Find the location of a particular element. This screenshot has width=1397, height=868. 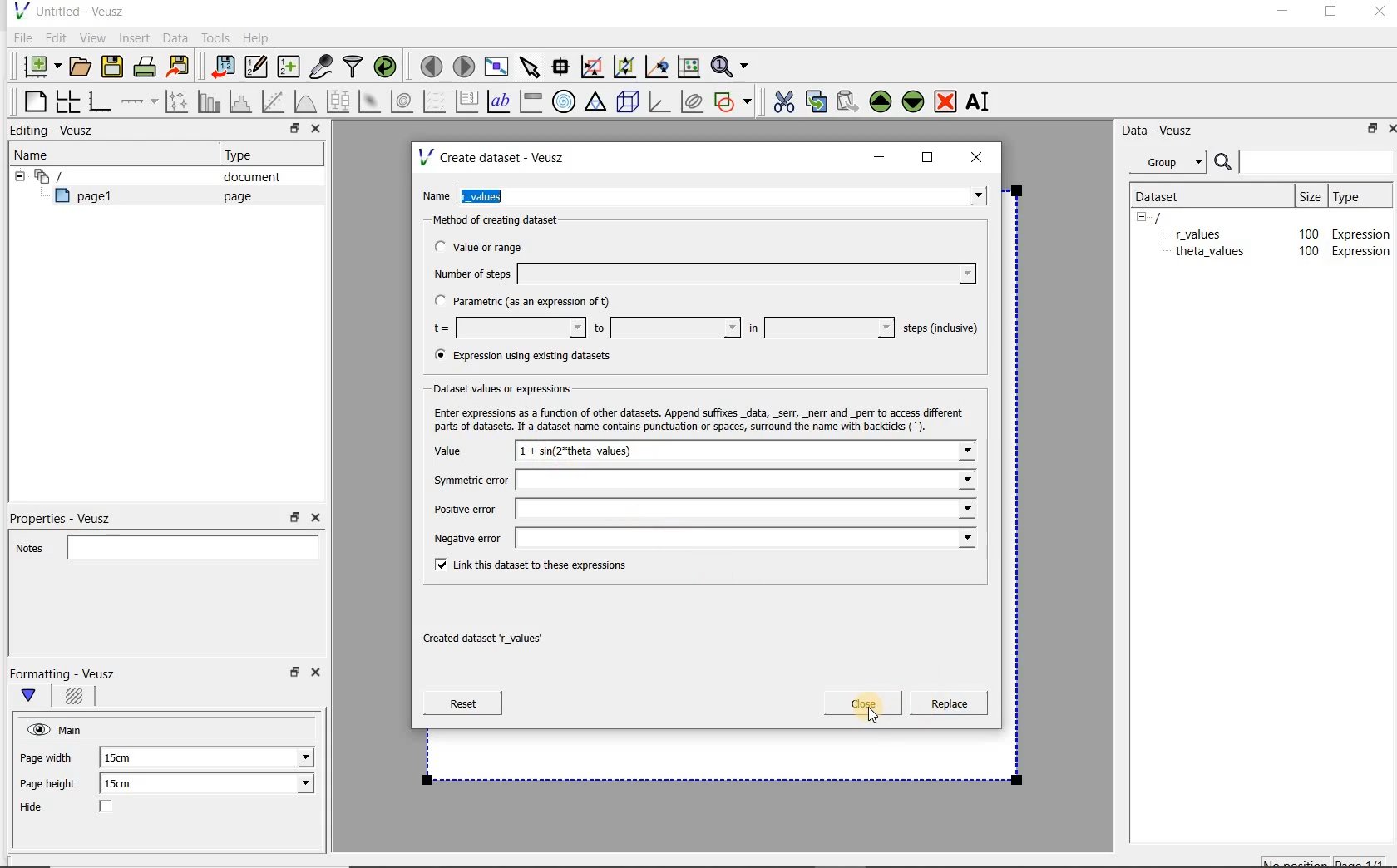

Parametric (as an expression of t) is located at coordinates (530, 302).